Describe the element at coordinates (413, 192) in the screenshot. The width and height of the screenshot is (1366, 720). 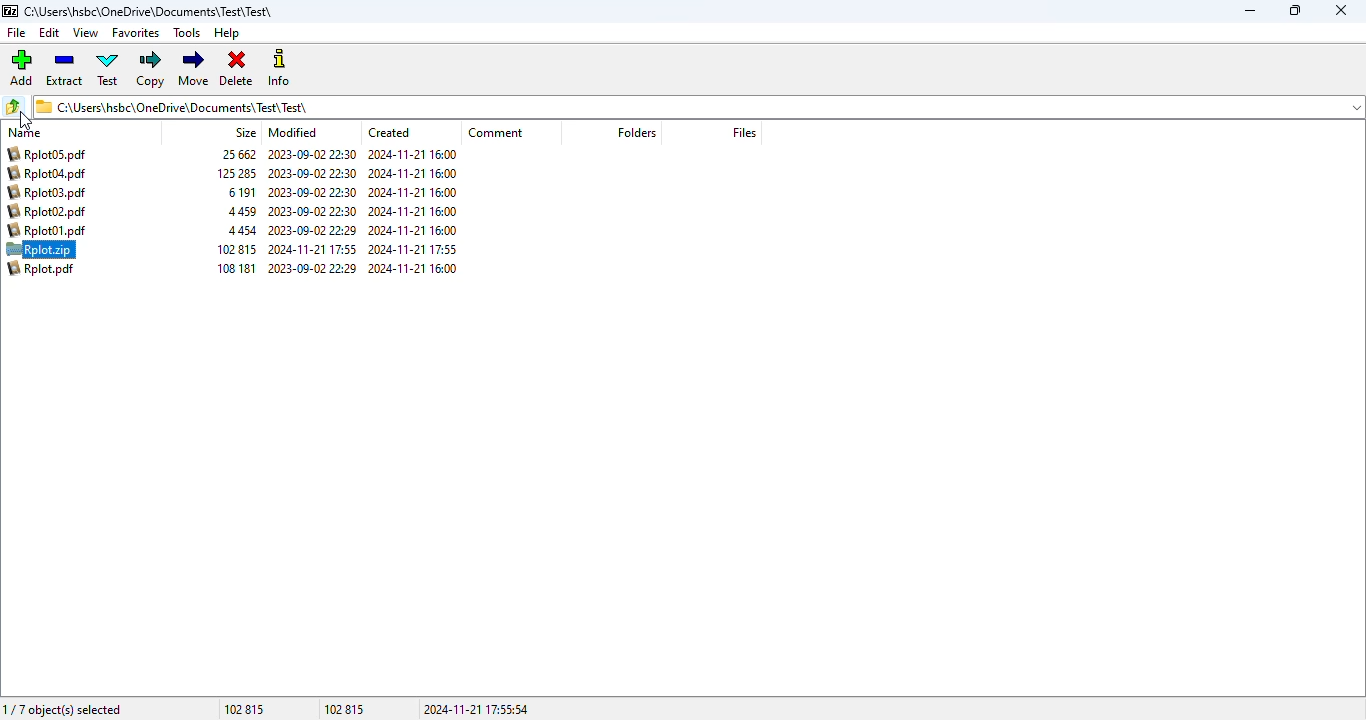
I see `2024-11-21 16:00` at that location.